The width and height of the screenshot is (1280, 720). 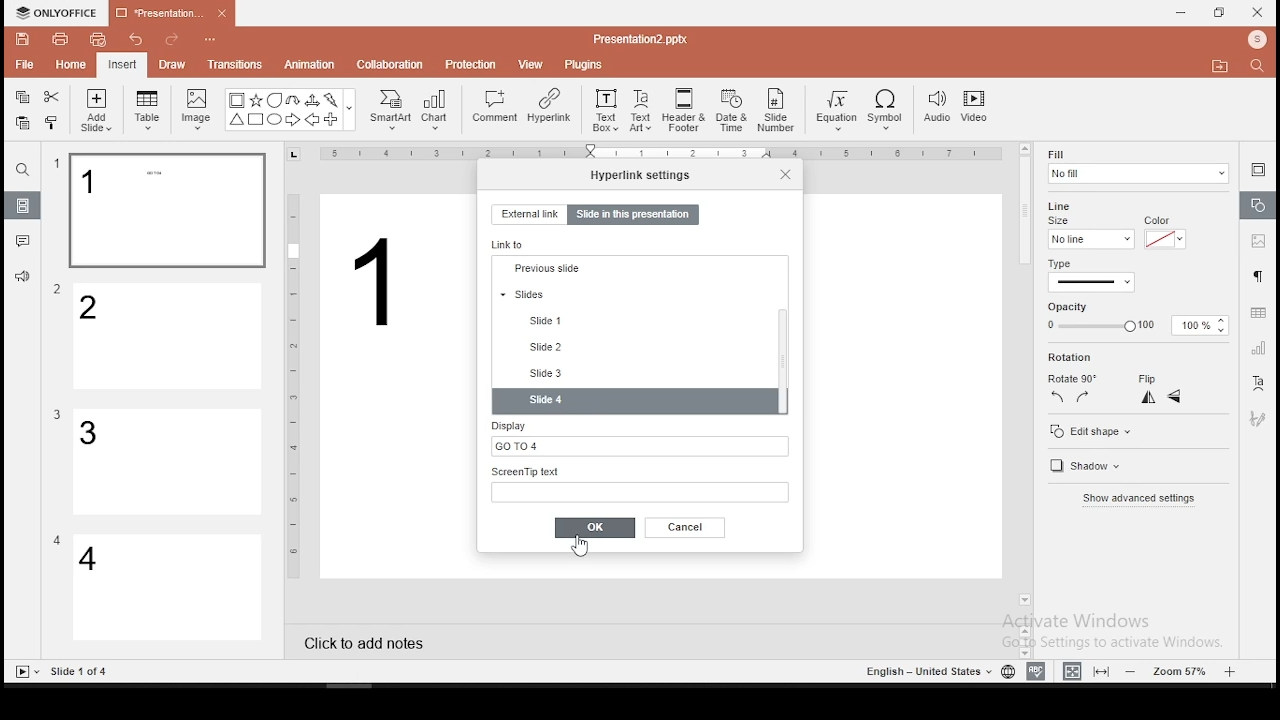 What do you see at coordinates (595, 528) in the screenshot?
I see `ok` at bounding box center [595, 528].